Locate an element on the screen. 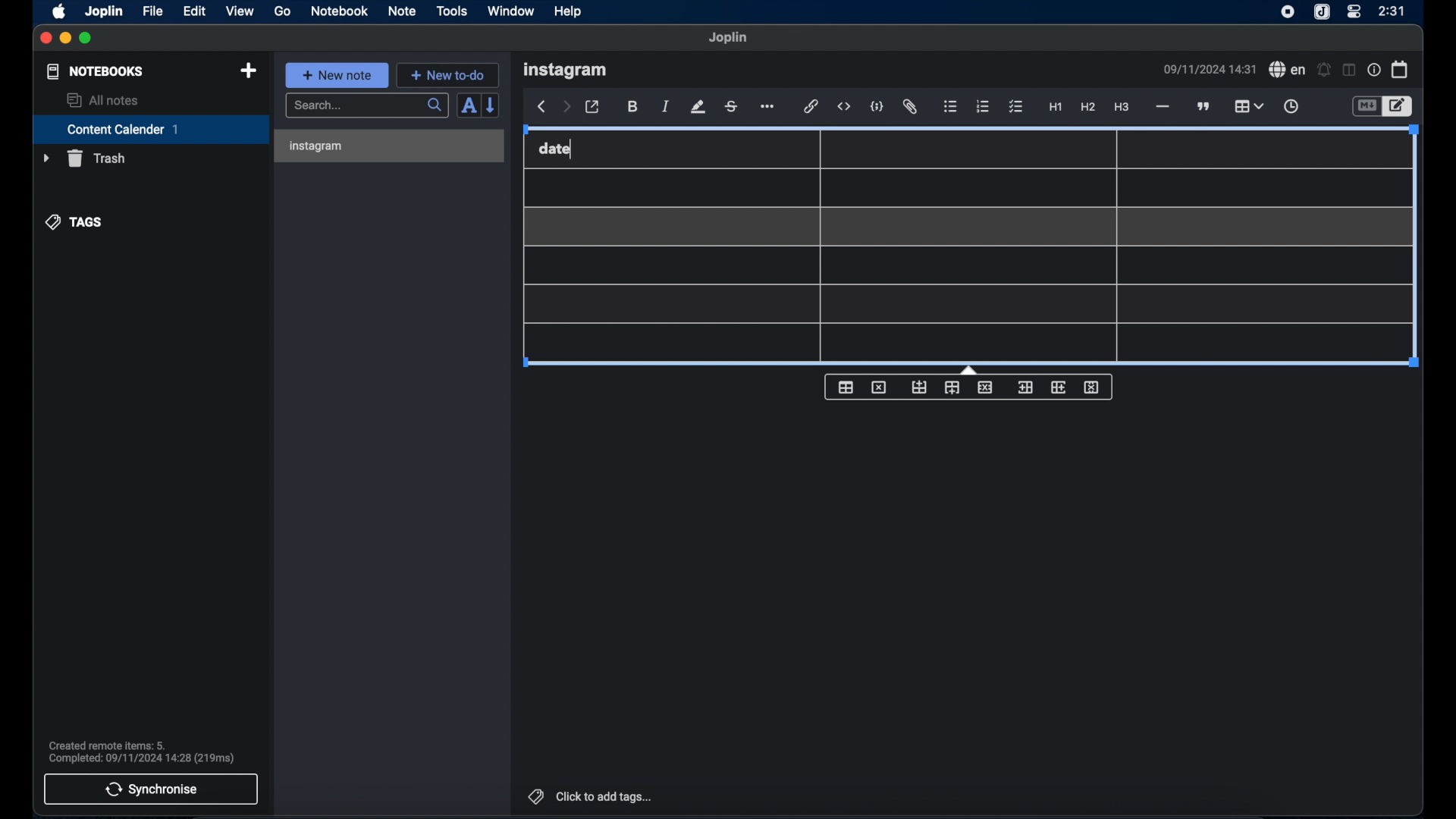  tags is located at coordinates (74, 222).